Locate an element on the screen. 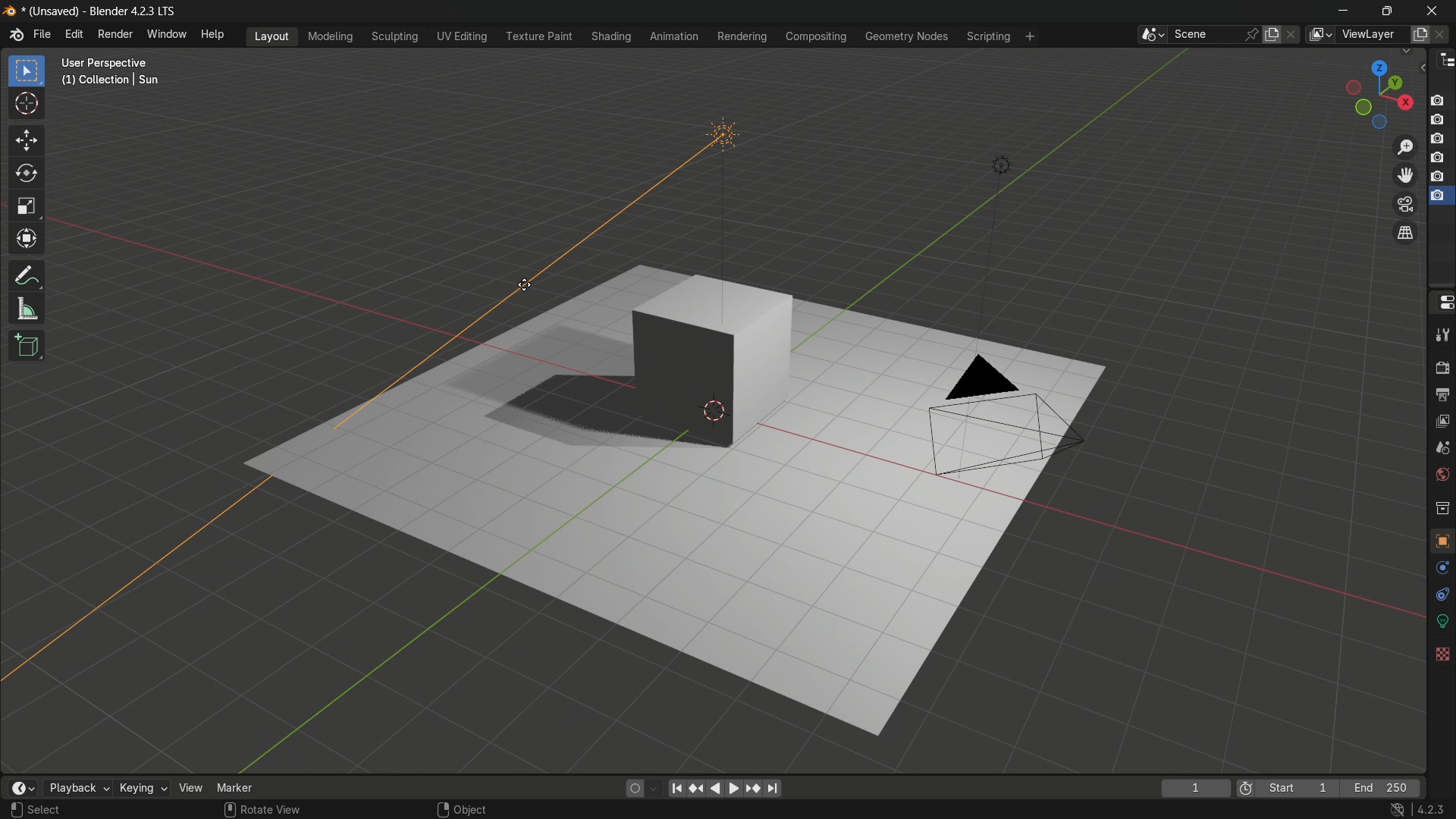  camera is located at coordinates (1002, 413).